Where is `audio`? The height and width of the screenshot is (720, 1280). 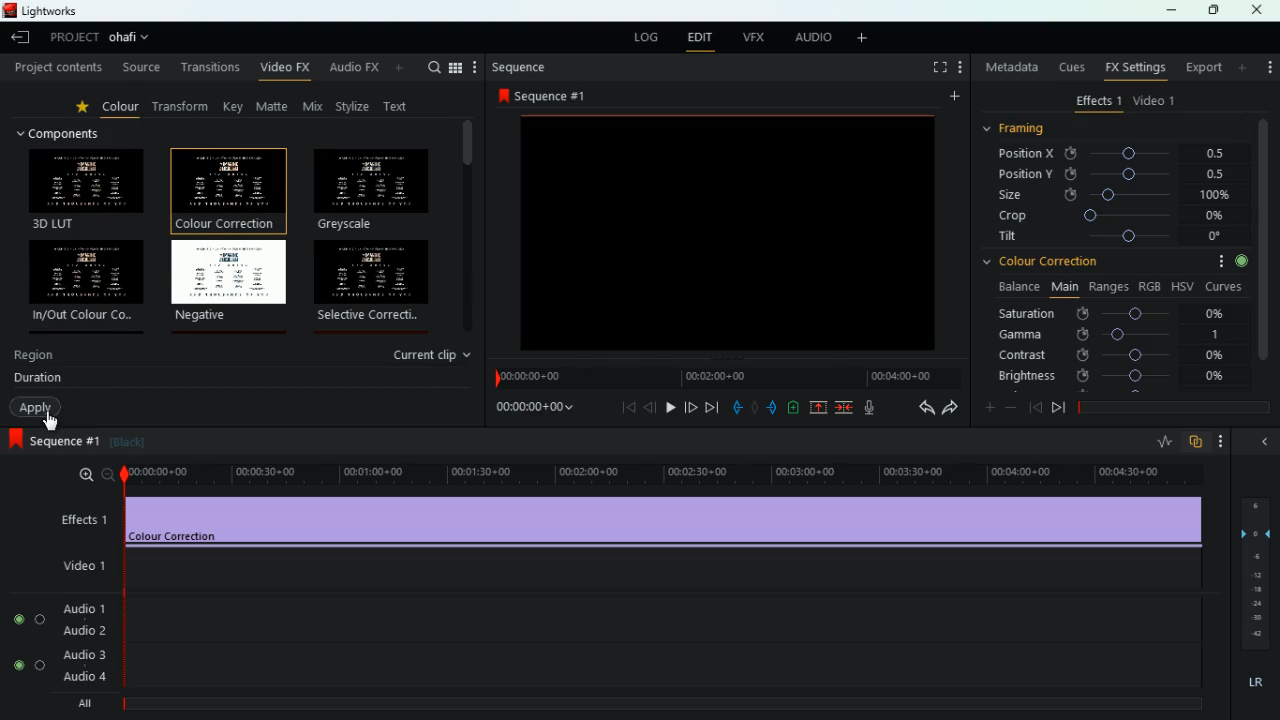
audio is located at coordinates (811, 38).